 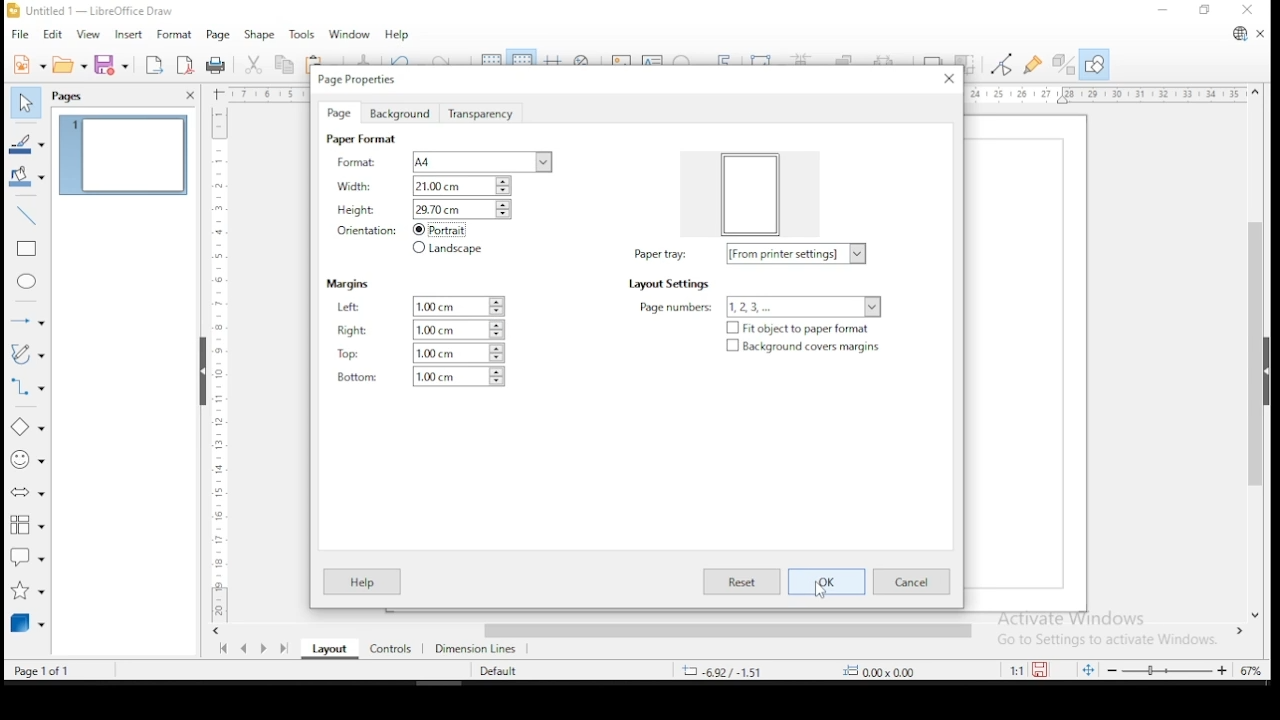 I want to click on view, so click(x=89, y=36).